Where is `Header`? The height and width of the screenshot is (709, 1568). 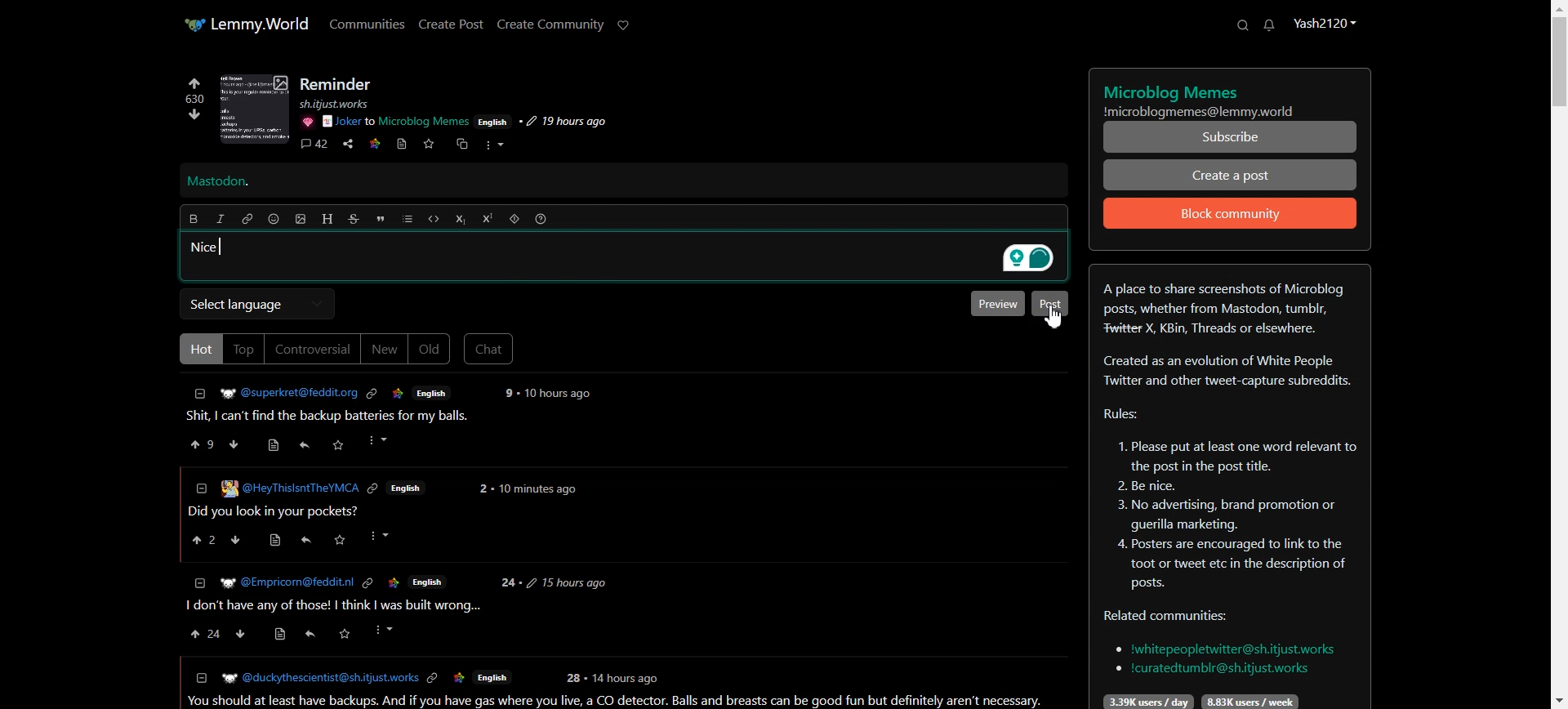 Header is located at coordinates (327, 219).